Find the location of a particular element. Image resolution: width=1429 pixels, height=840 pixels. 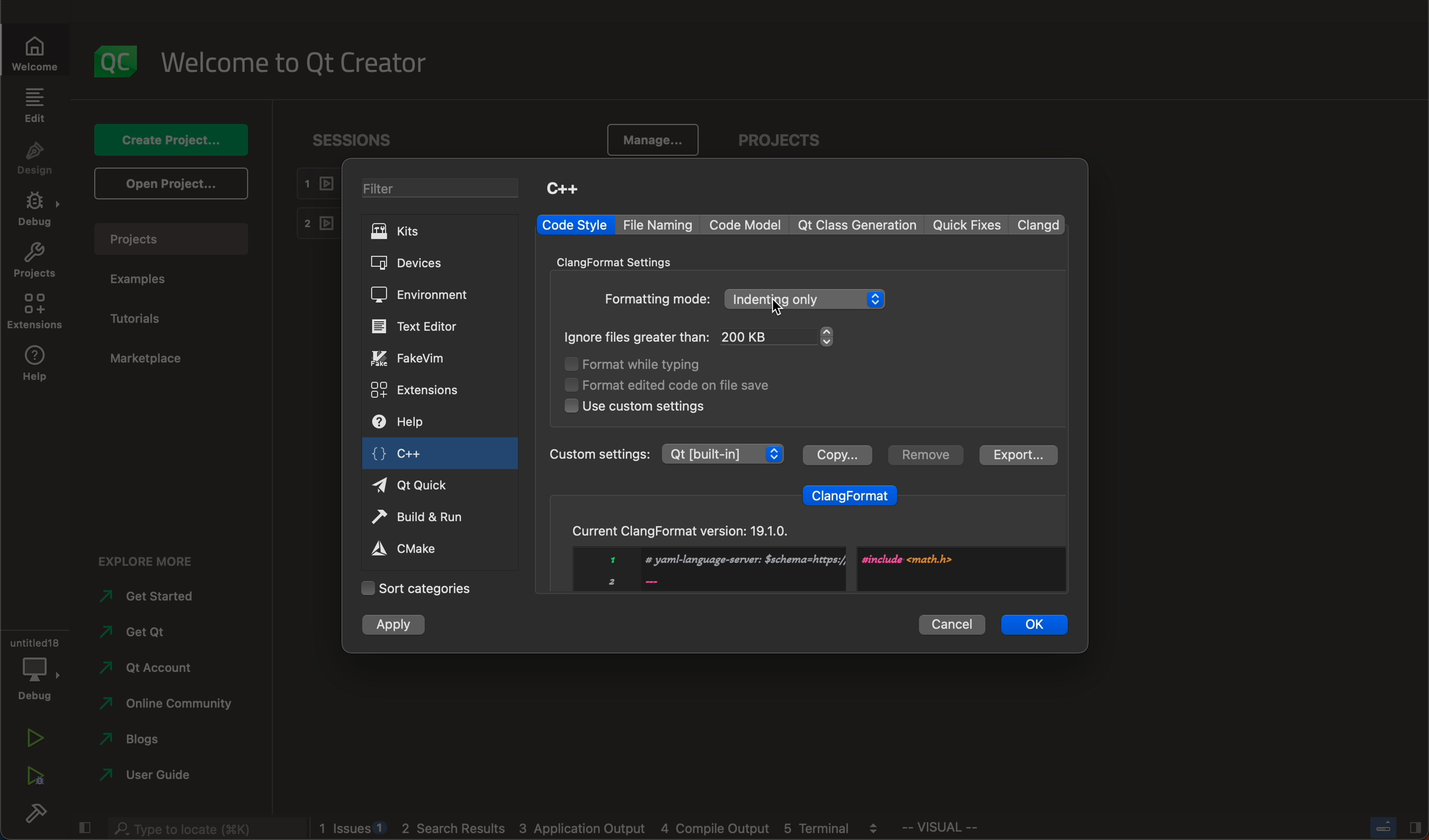

build and run is located at coordinates (423, 519).